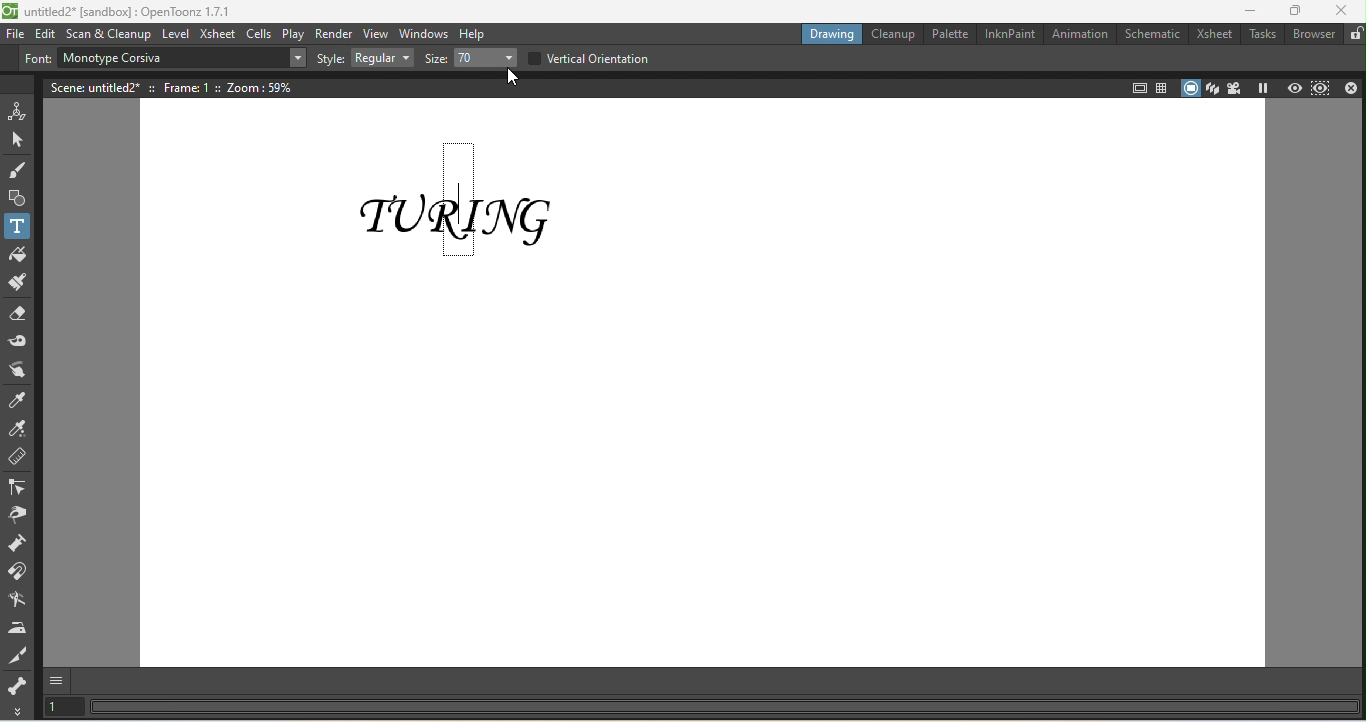  Describe the element at coordinates (259, 34) in the screenshot. I see `Cells` at that location.